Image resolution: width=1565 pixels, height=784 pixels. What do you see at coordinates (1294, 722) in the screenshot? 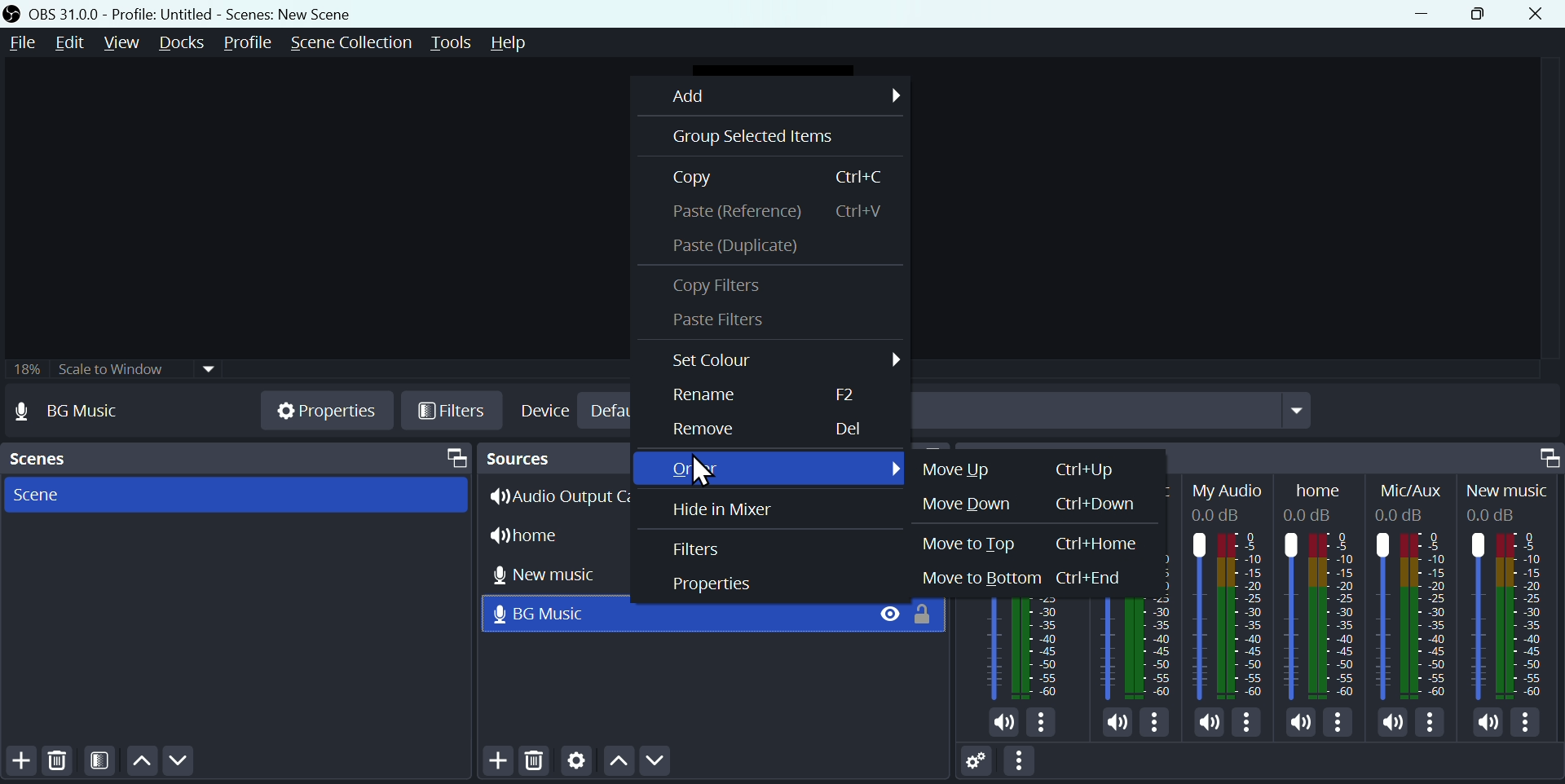
I see `Mute/Unmute` at bounding box center [1294, 722].